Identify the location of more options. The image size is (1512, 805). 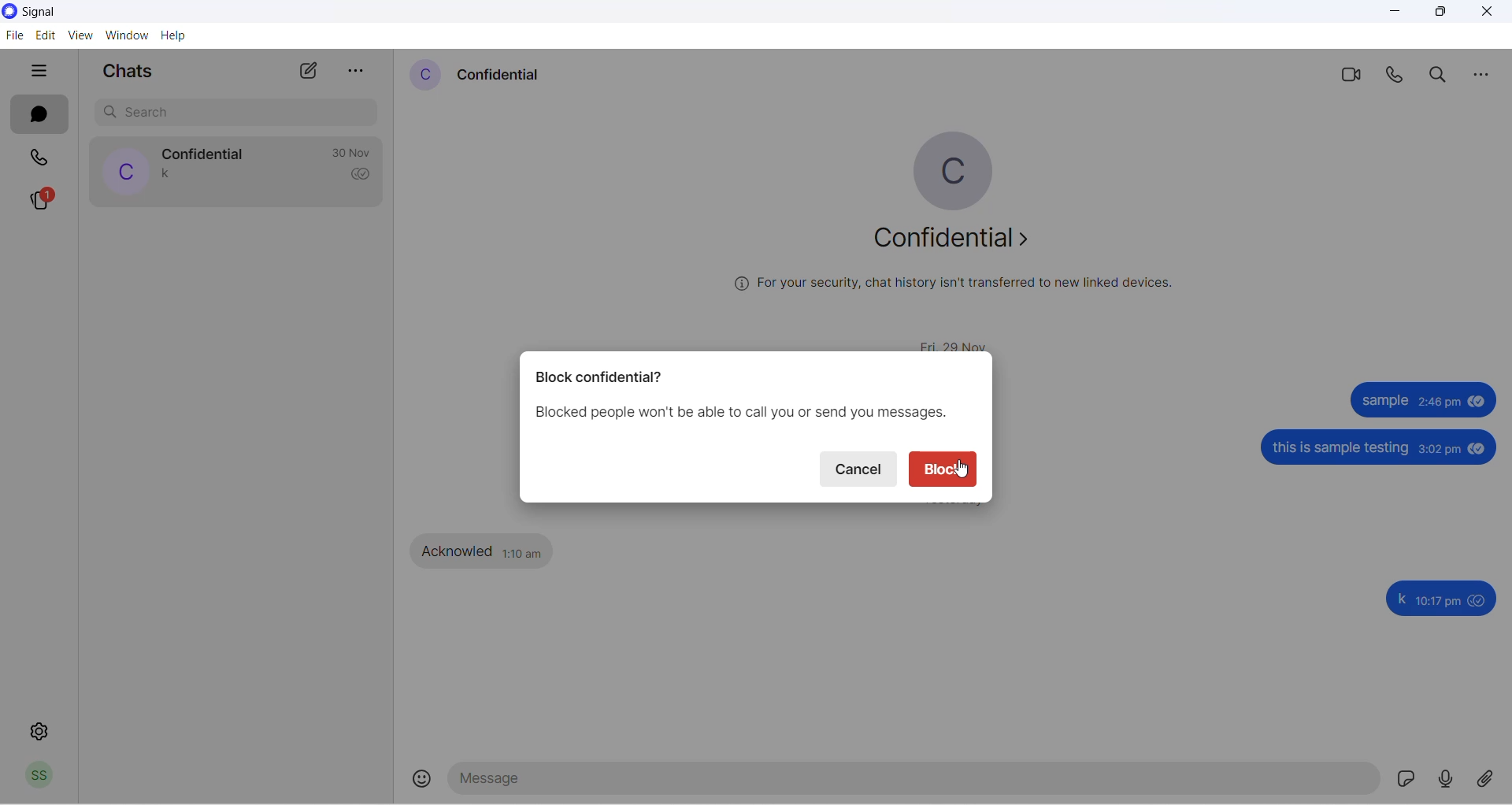
(1486, 76).